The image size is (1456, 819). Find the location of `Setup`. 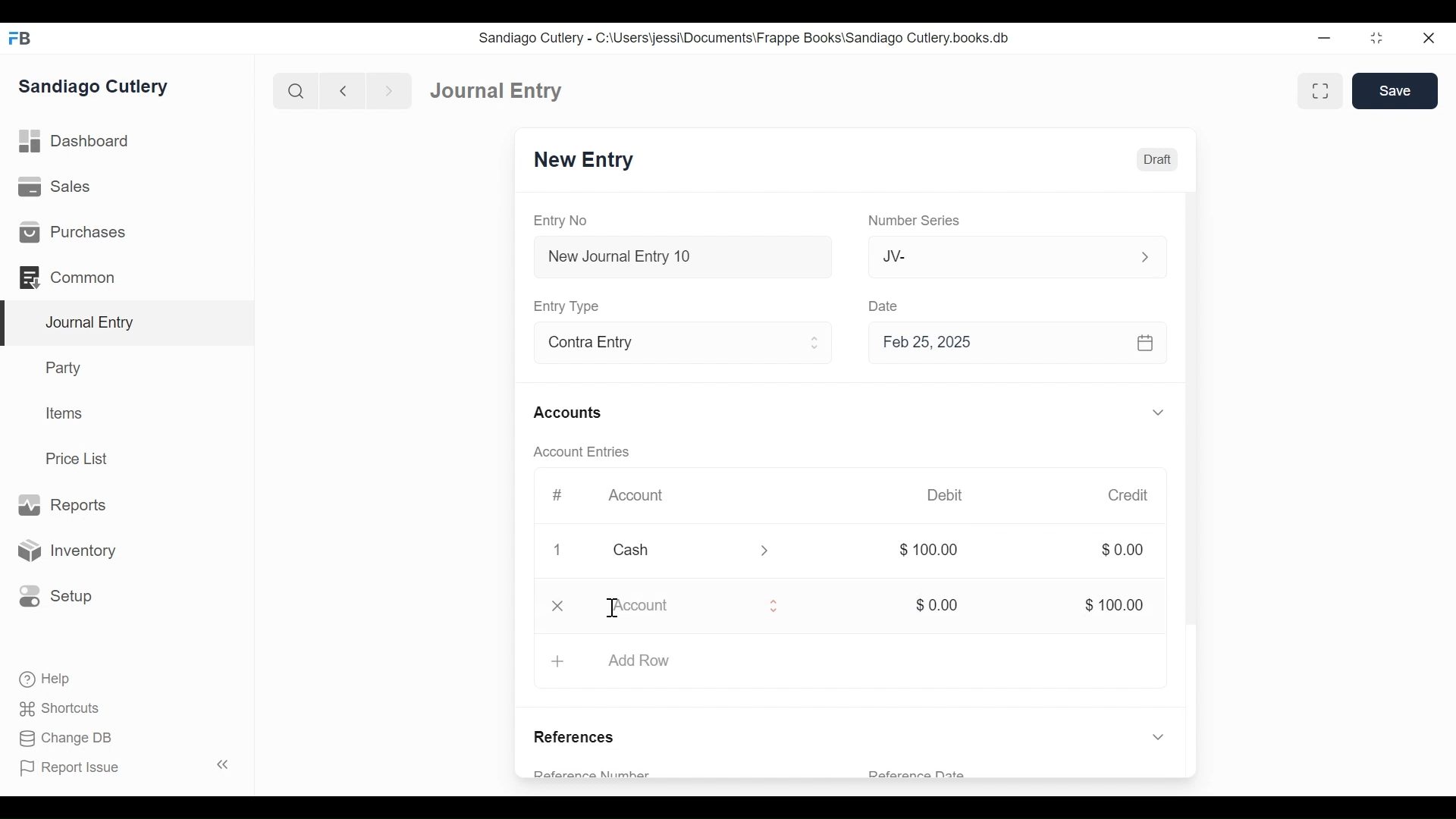

Setup is located at coordinates (56, 595).